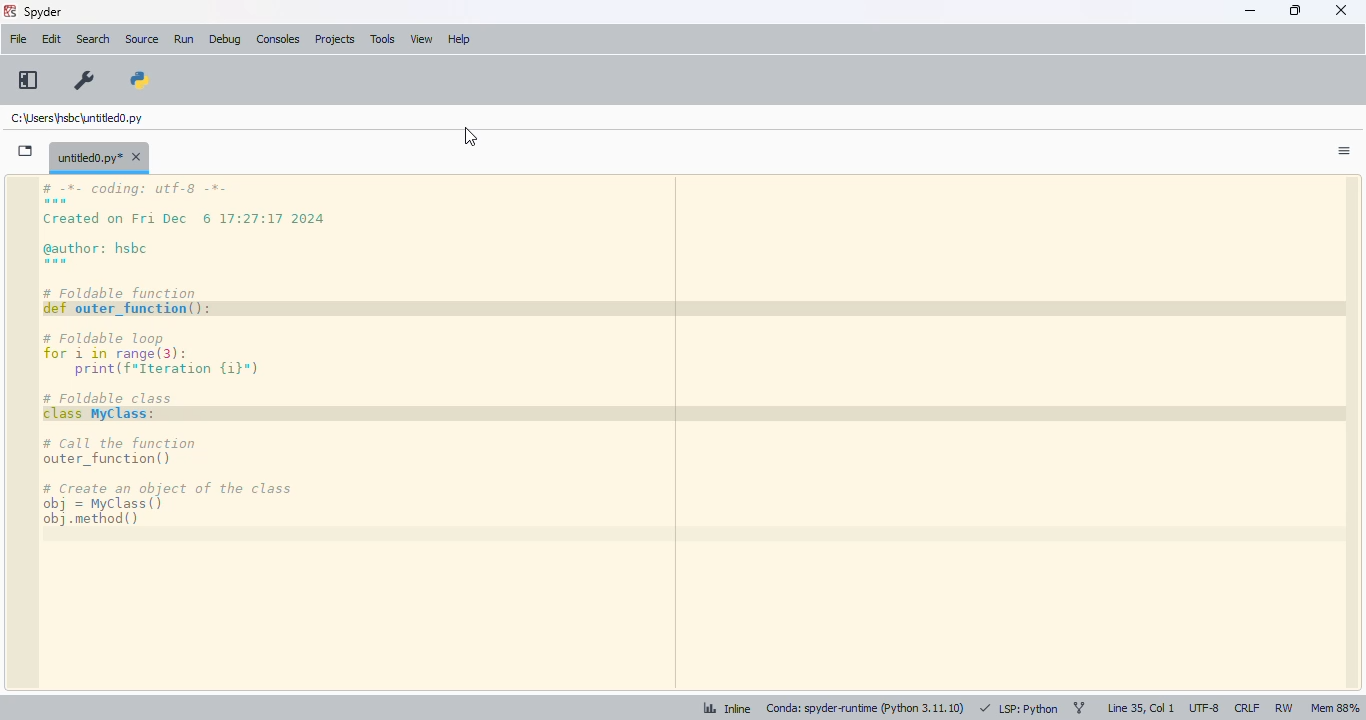  What do you see at coordinates (1343, 154) in the screenshot?
I see `option` at bounding box center [1343, 154].